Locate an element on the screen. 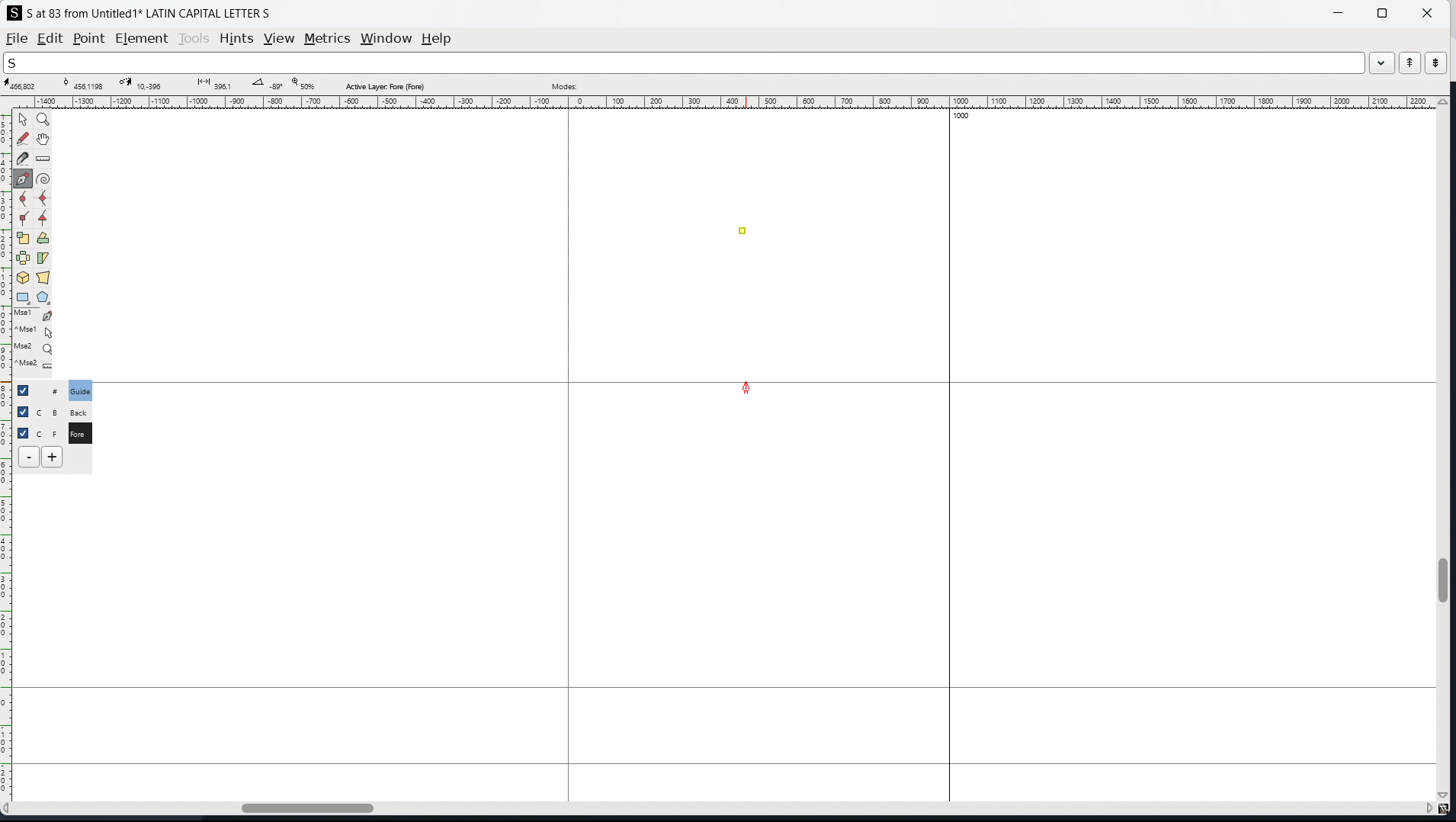  delete layer is located at coordinates (29, 458).